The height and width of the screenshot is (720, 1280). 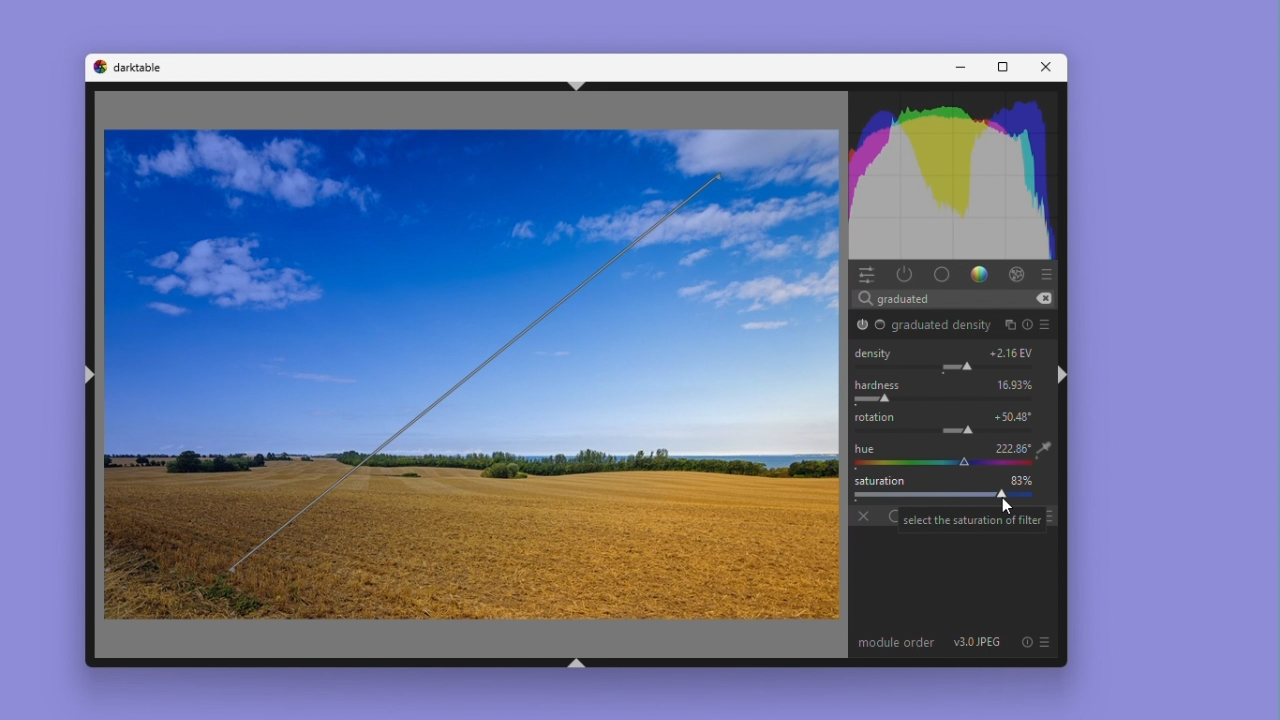 What do you see at coordinates (1044, 450) in the screenshot?
I see `eyedropper tool` at bounding box center [1044, 450].